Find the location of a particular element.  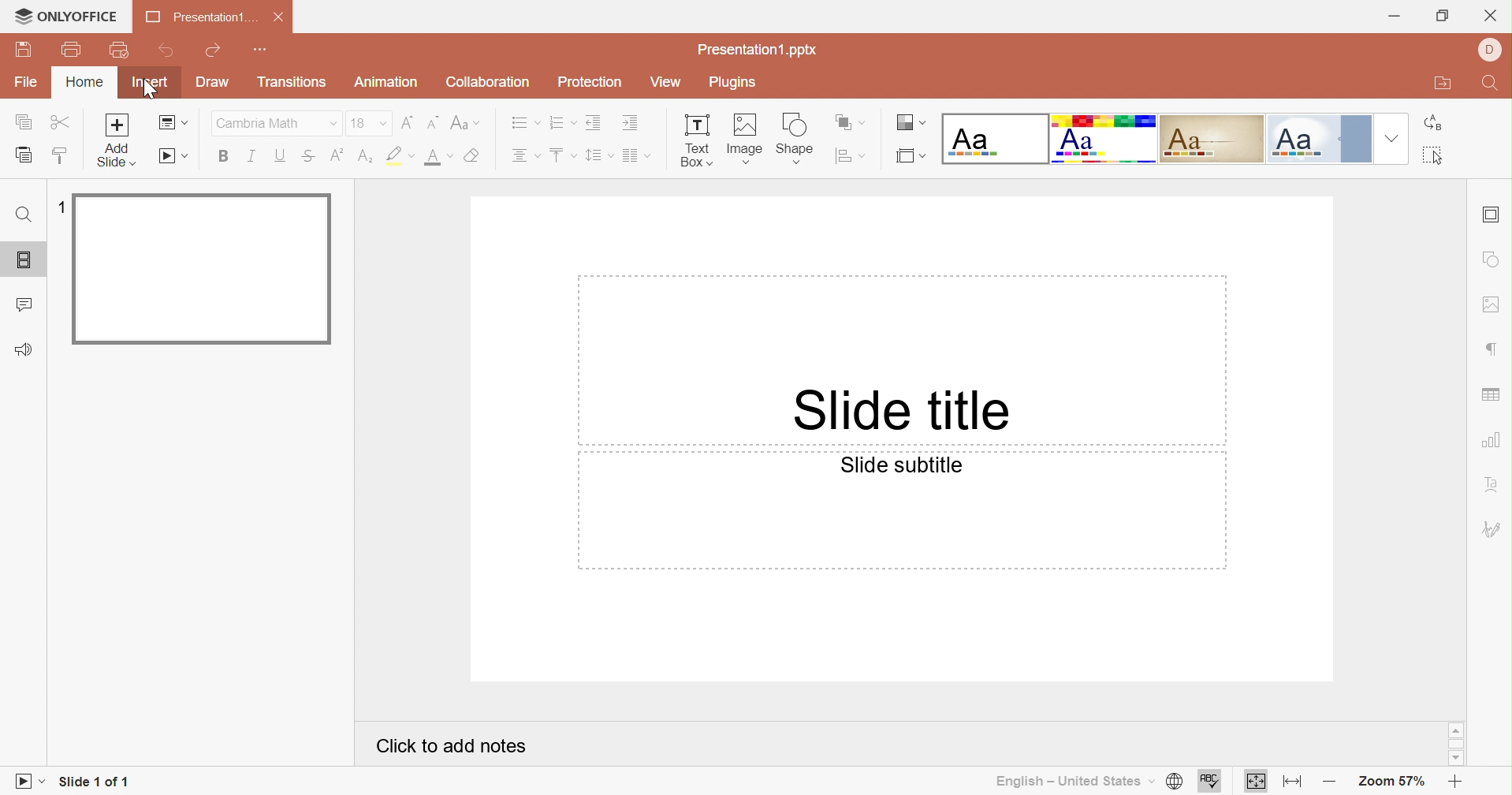

Close is located at coordinates (1490, 15).